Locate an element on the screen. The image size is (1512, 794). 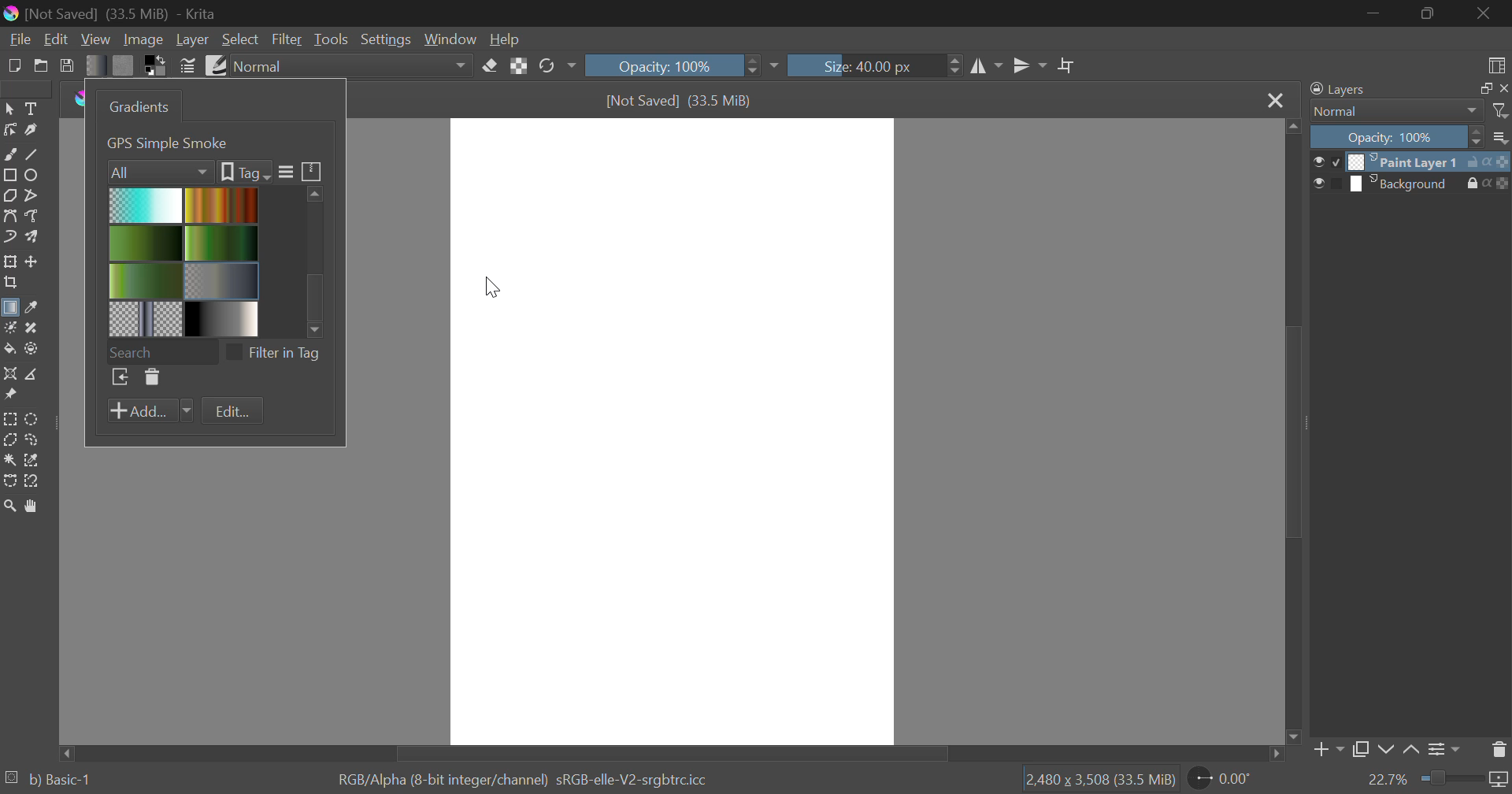
Gradient 7 is located at coordinates (146, 318).